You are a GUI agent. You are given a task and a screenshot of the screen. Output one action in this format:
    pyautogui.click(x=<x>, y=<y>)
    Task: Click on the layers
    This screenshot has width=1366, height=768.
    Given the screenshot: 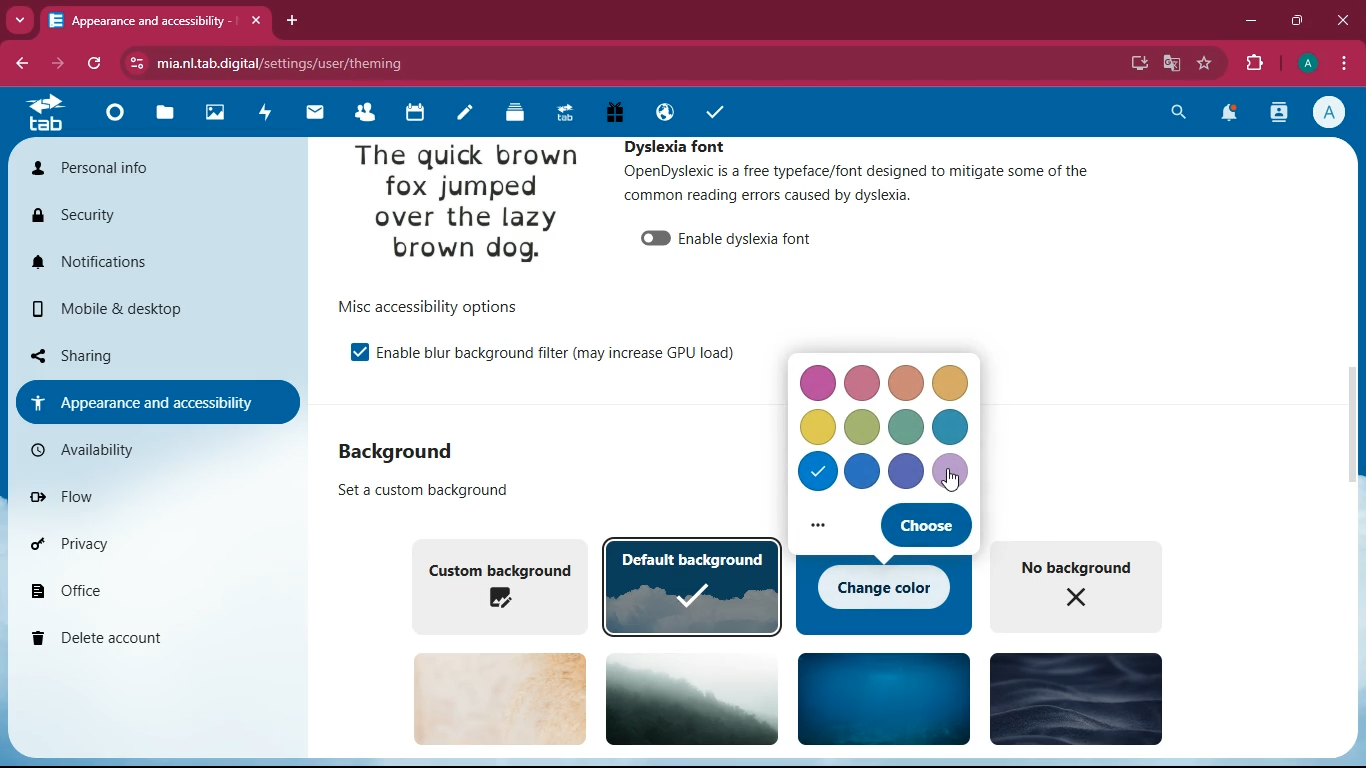 What is the action you would take?
    pyautogui.click(x=511, y=114)
    